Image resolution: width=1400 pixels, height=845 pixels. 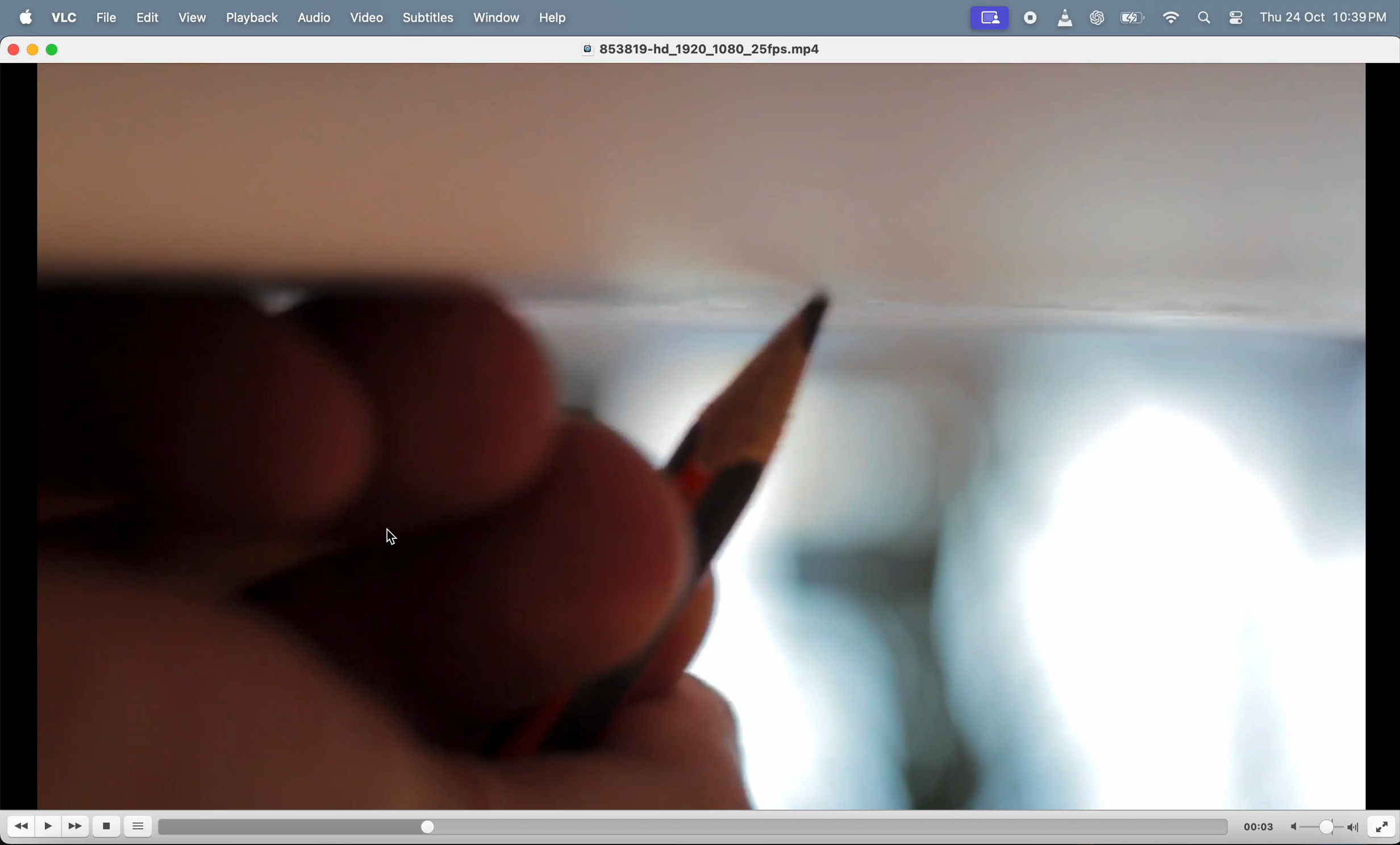 What do you see at coordinates (110, 827) in the screenshot?
I see `stop` at bounding box center [110, 827].